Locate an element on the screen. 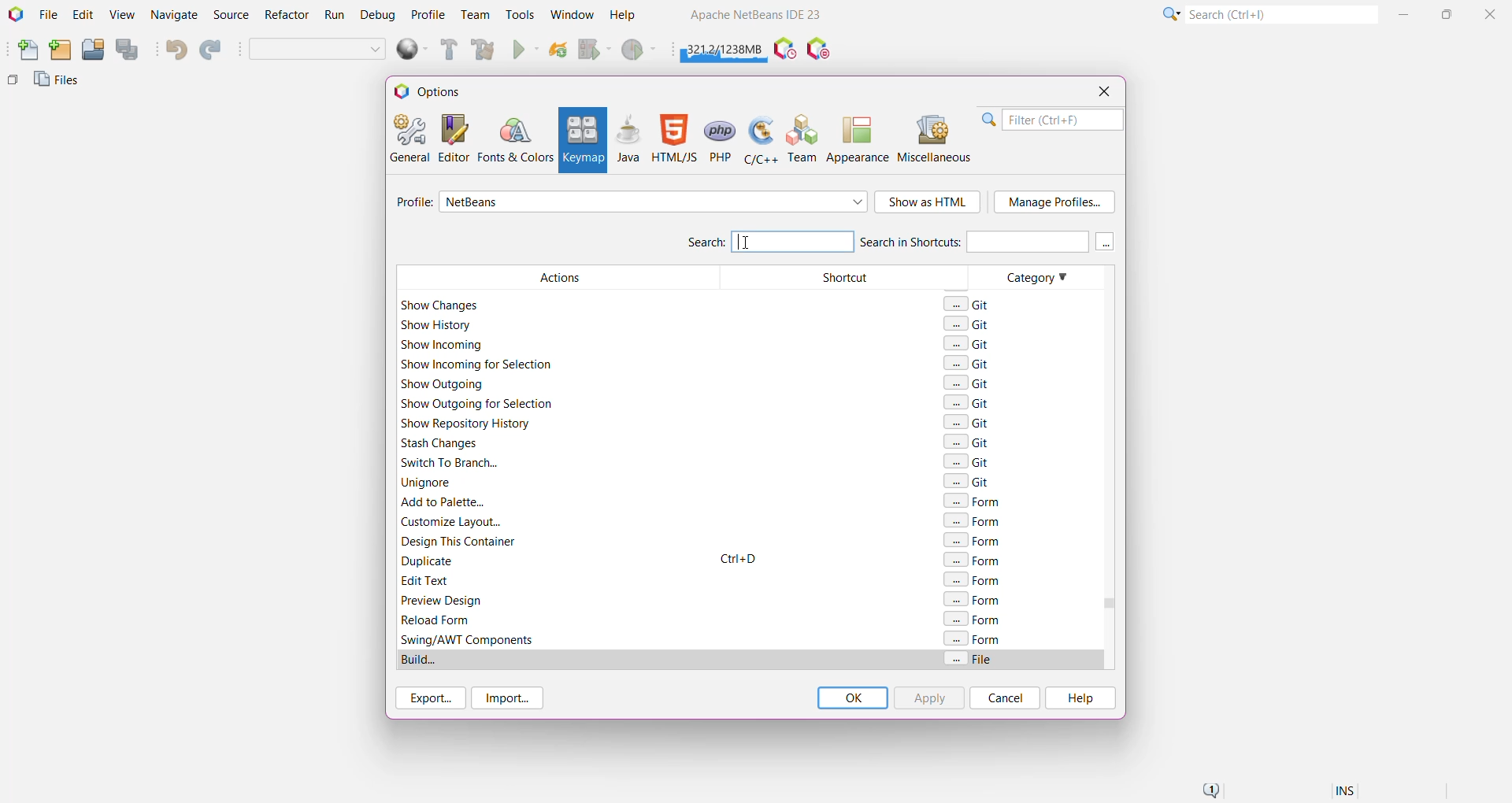 The width and height of the screenshot is (1512, 803). Open Project is located at coordinates (92, 50).